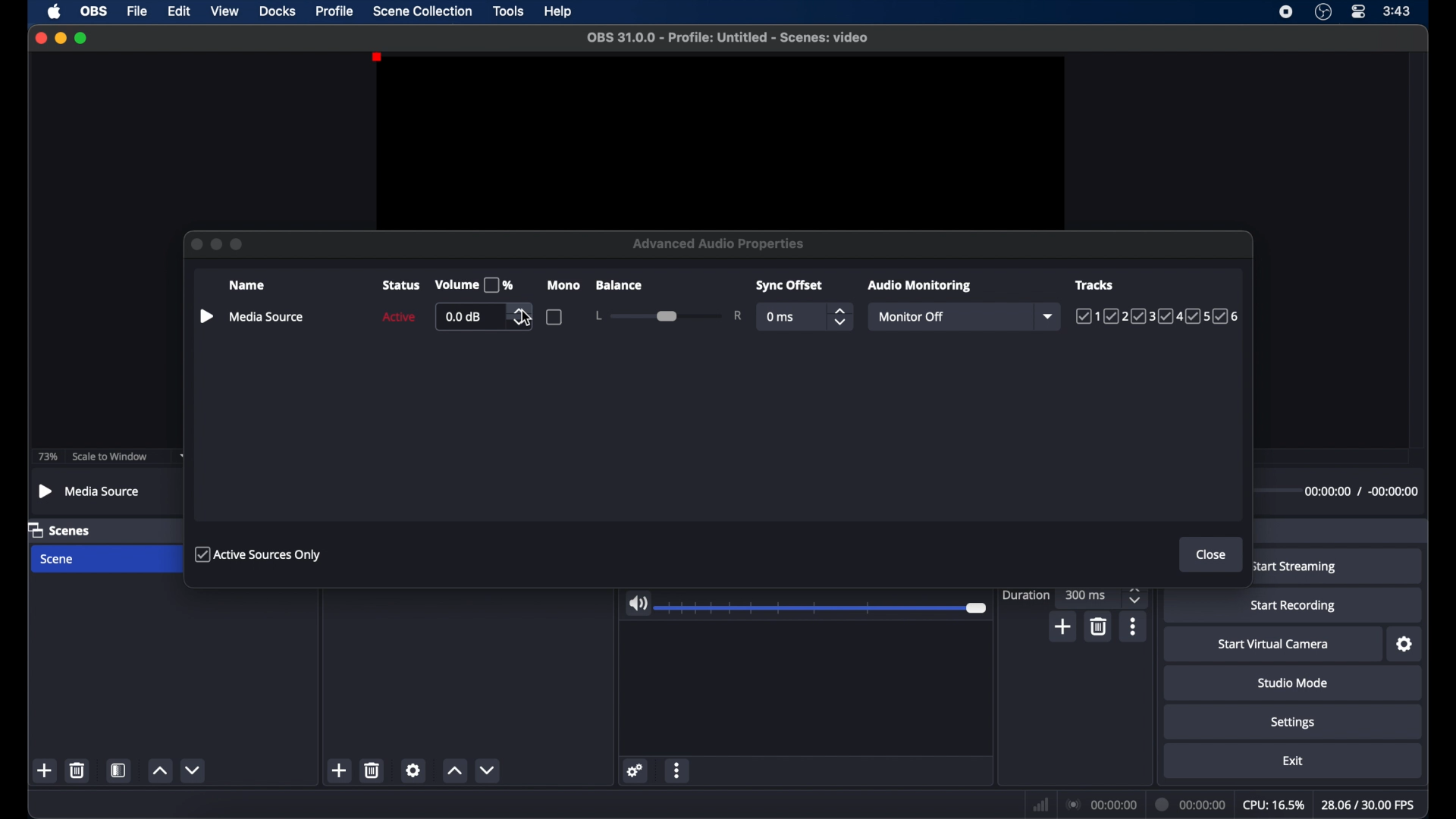 This screenshot has height=819, width=1456. What do you see at coordinates (619, 285) in the screenshot?
I see `balance` at bounding box center [619, 285].